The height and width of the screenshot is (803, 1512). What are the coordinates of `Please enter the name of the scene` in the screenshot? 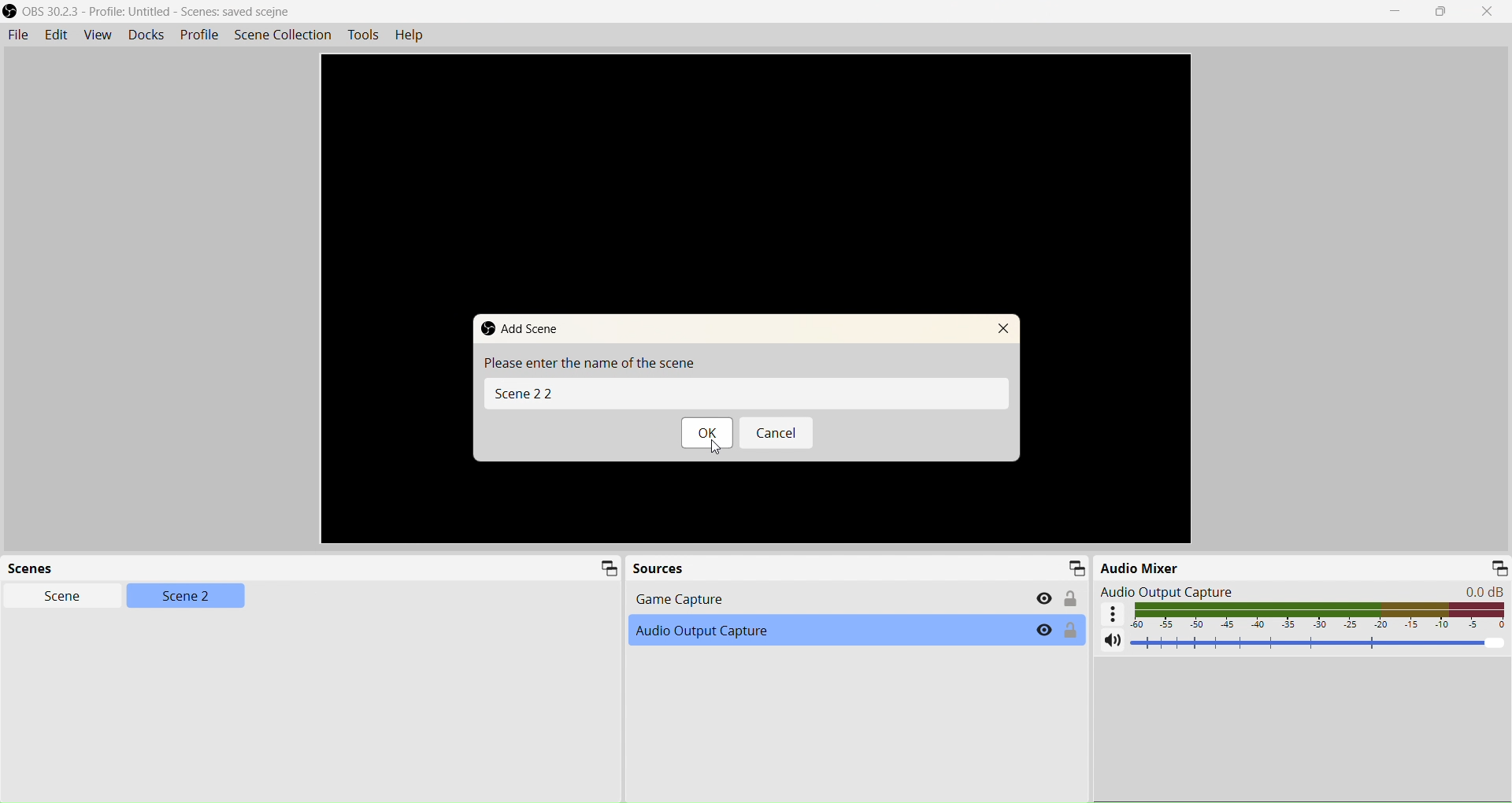 It's located at (588, 362).